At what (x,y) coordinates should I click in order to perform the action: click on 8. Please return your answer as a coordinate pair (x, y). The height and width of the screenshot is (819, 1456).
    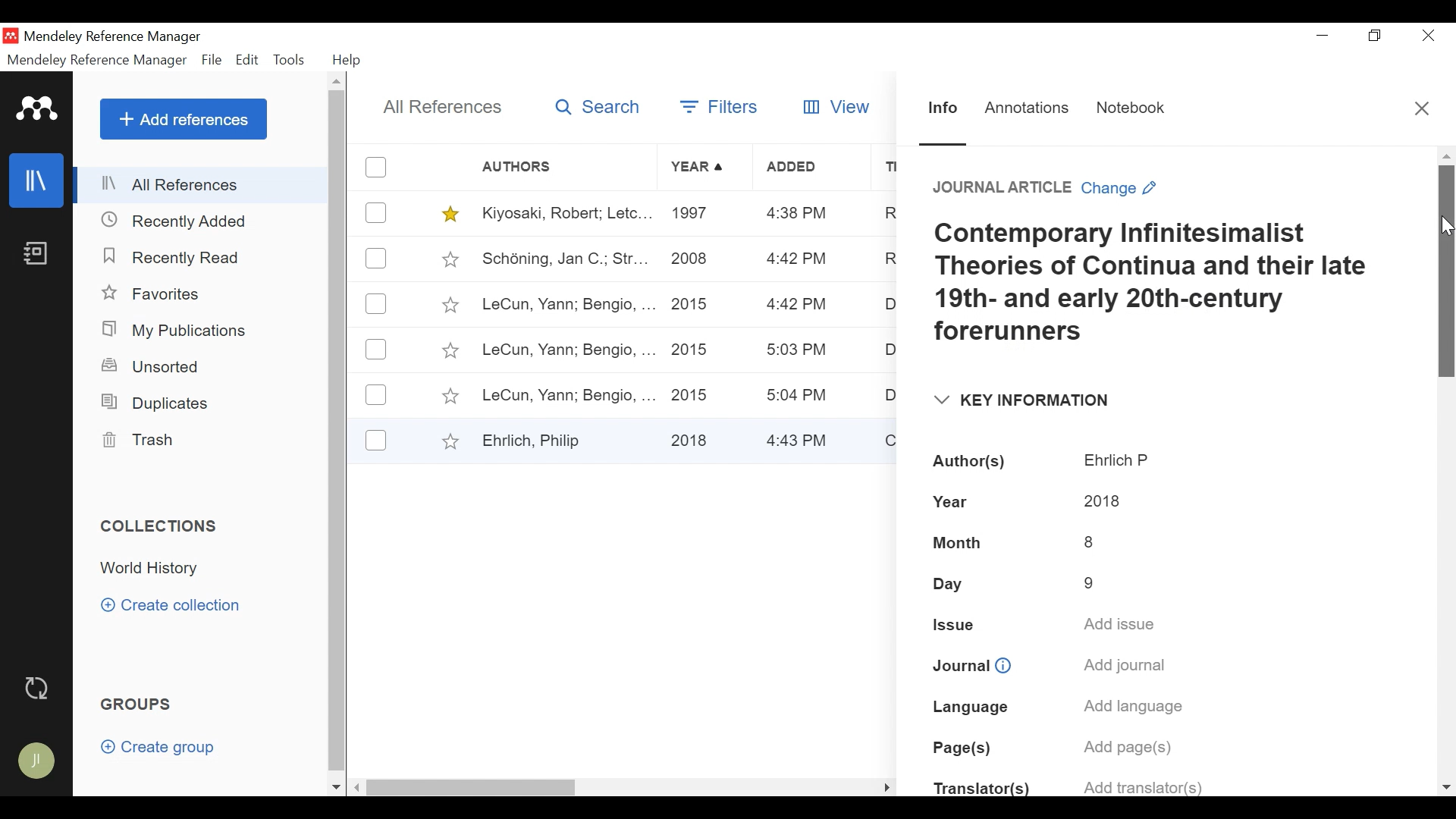
    Looking at the image, I should click on (1091, 539).